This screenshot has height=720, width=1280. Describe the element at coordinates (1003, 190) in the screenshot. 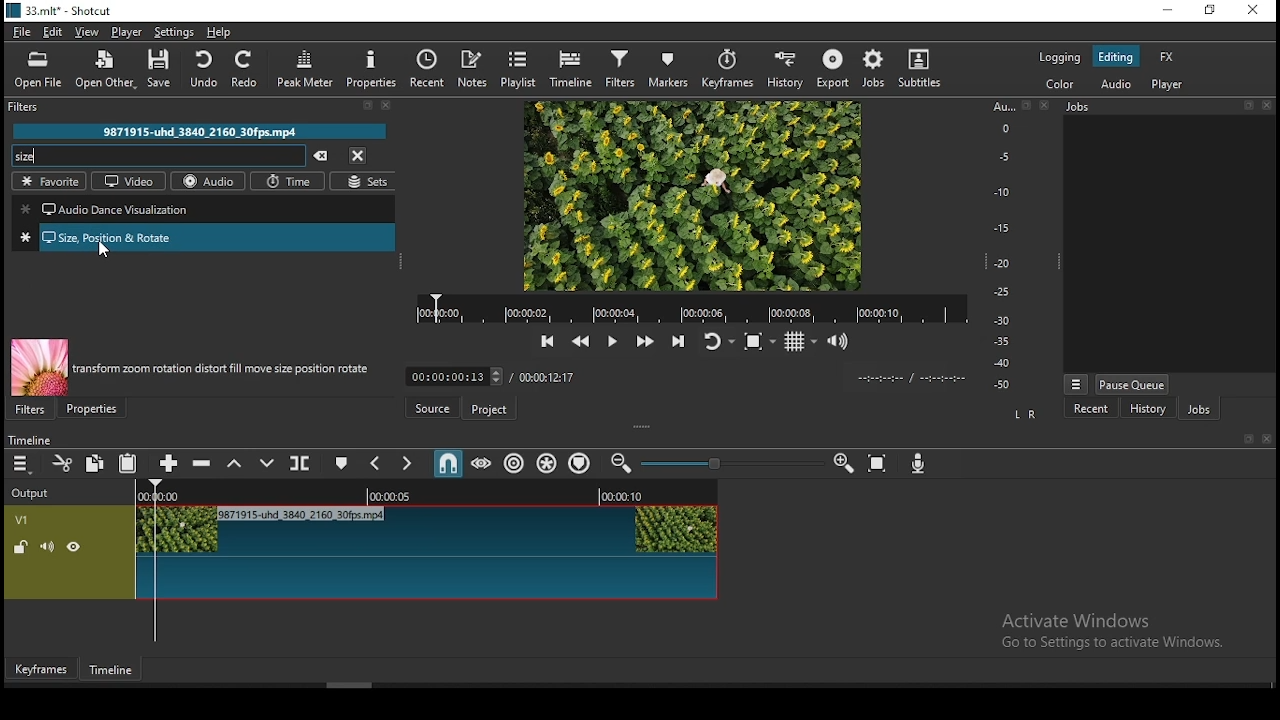

I see `-10` at that location.